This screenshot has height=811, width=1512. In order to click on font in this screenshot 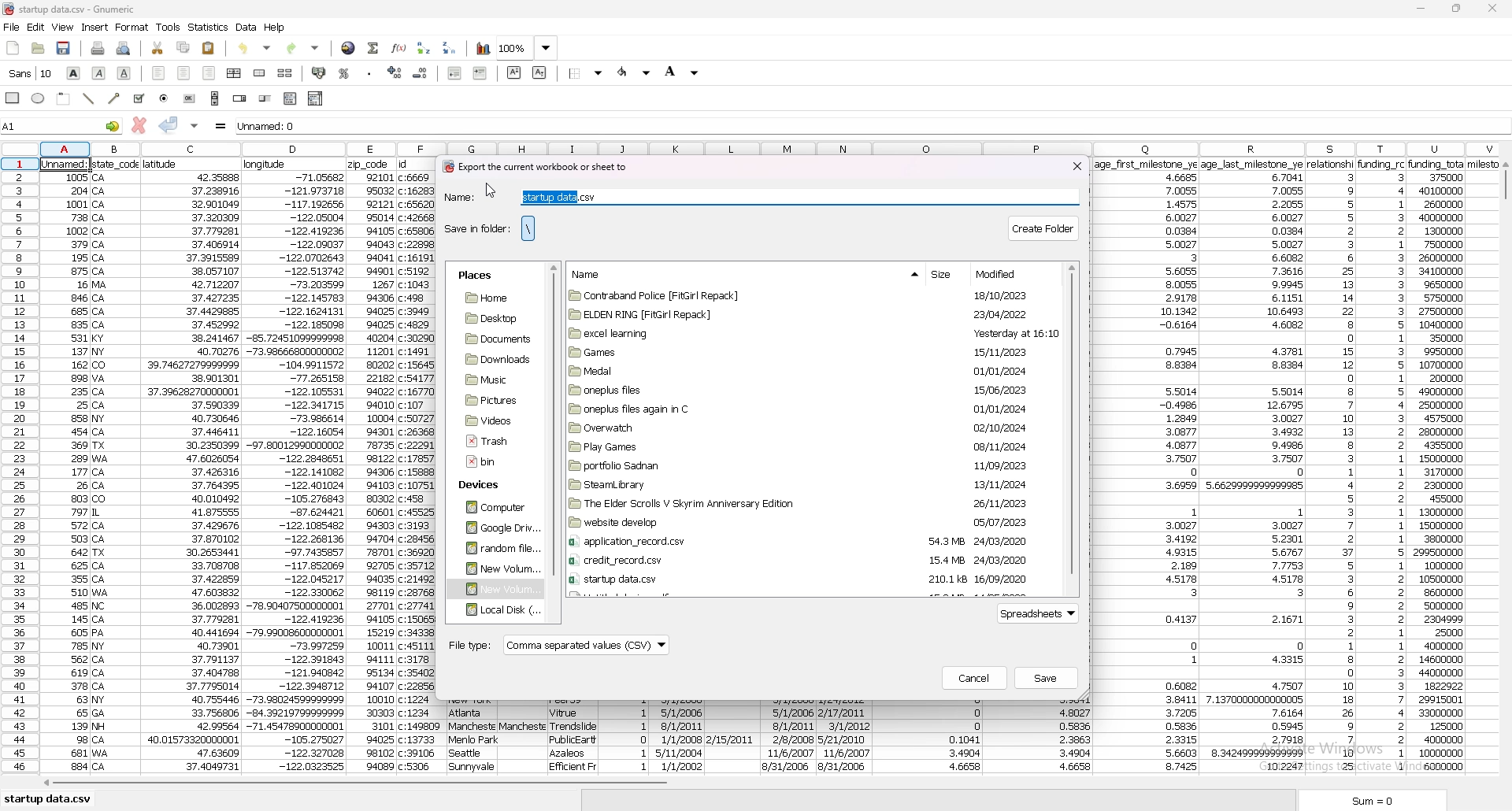, I will do `click(31, 73)`.